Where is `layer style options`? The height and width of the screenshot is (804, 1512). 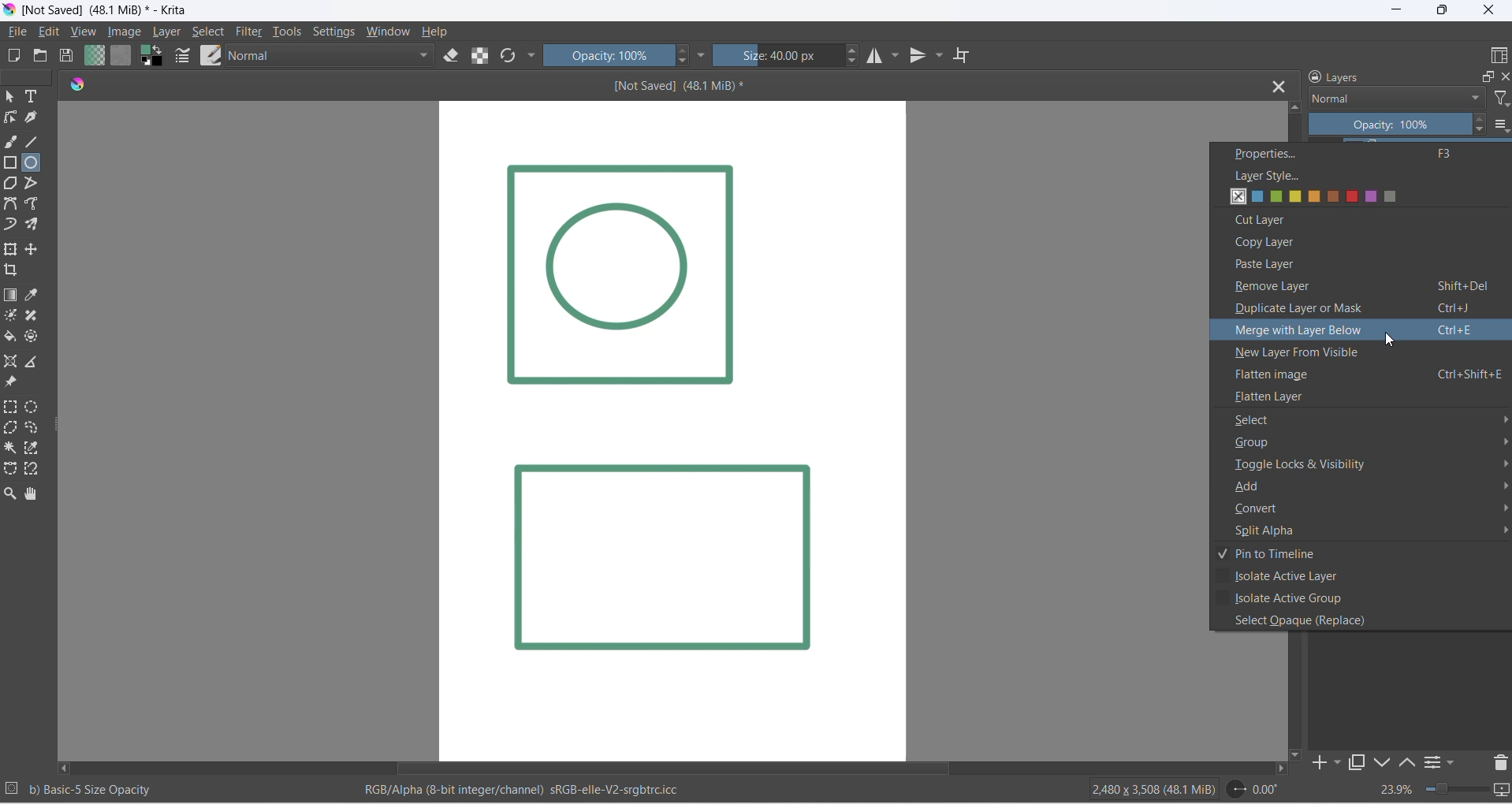
layer style options is located at coordinates (1358, 195).